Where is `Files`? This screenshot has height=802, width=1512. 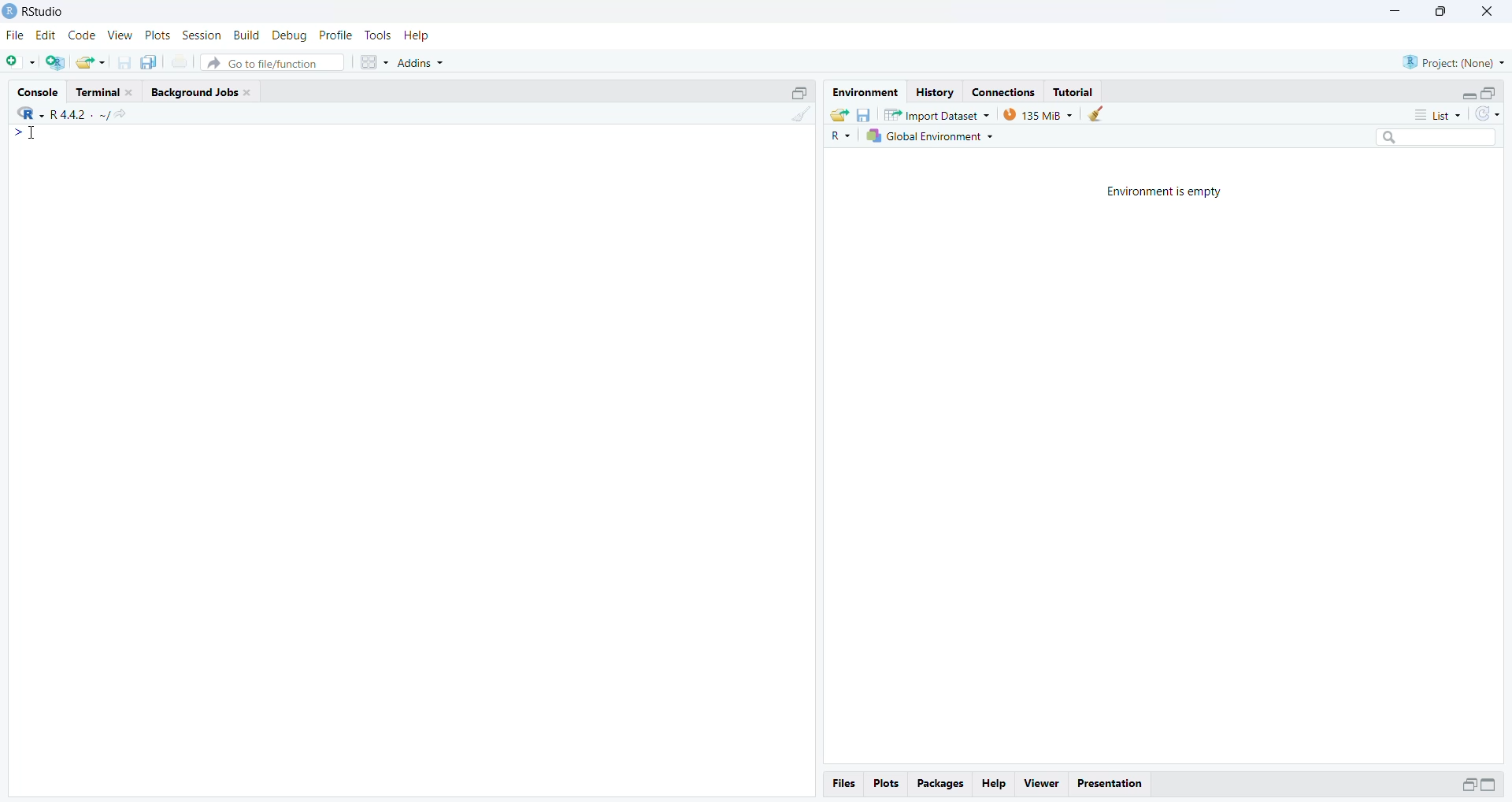 Files is located at coordinates (847, 783).